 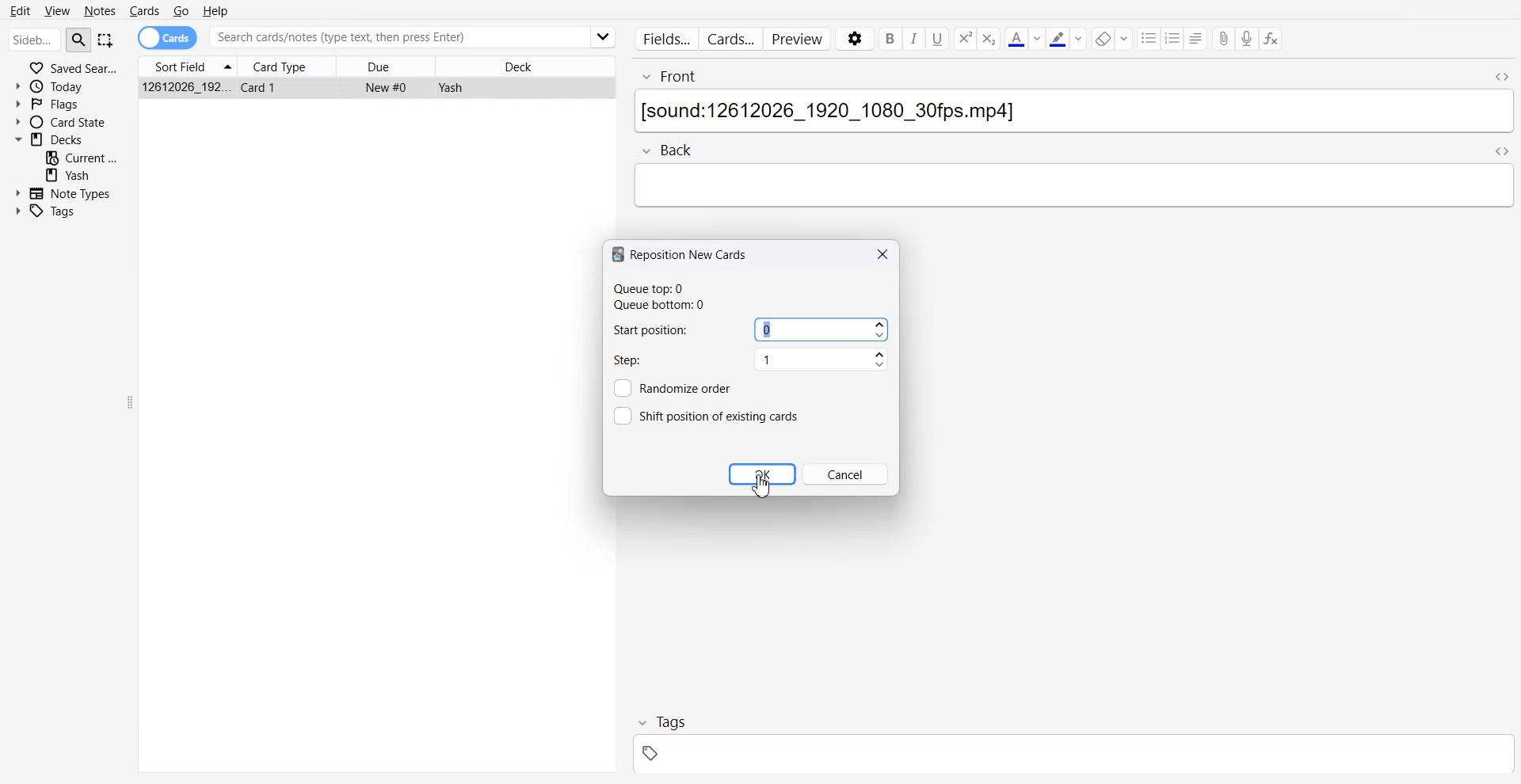 What do you see at coordinates (66, 122) in the screenshot?
I see `Card State` at bounding box center [66, 122].